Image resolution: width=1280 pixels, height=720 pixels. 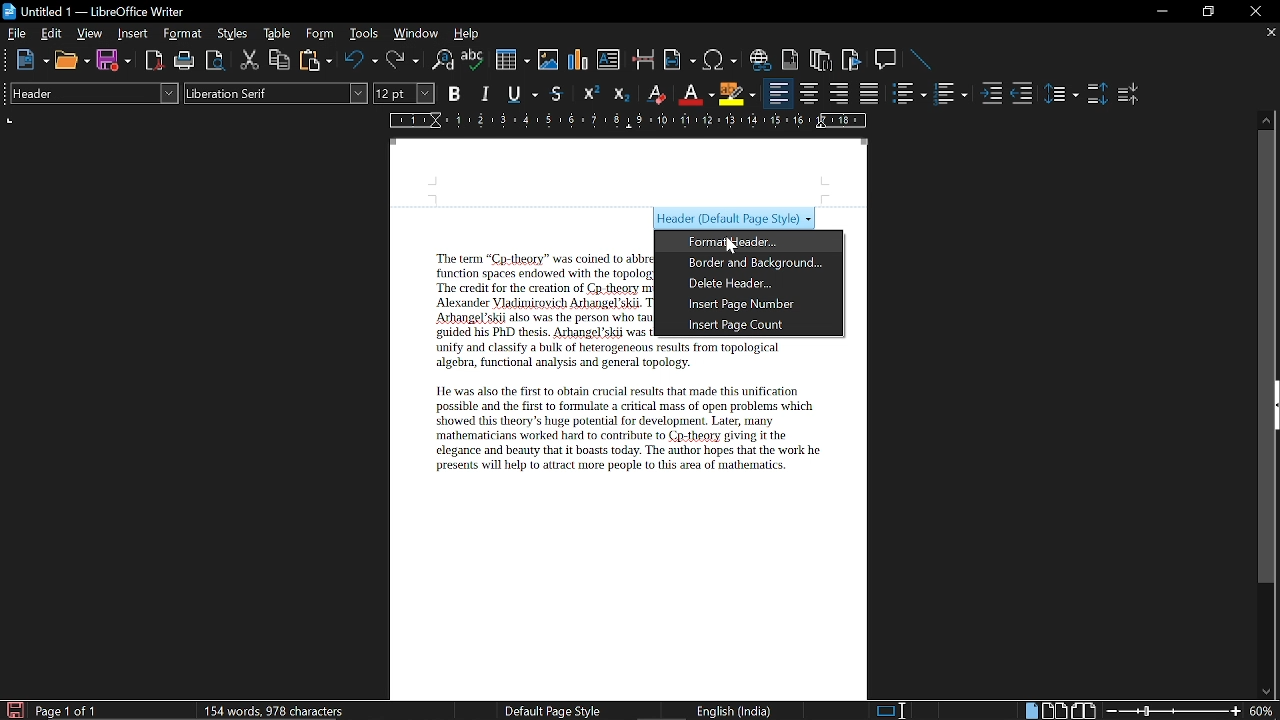 I want to click on Restore down, so click(x=1206, y=12).